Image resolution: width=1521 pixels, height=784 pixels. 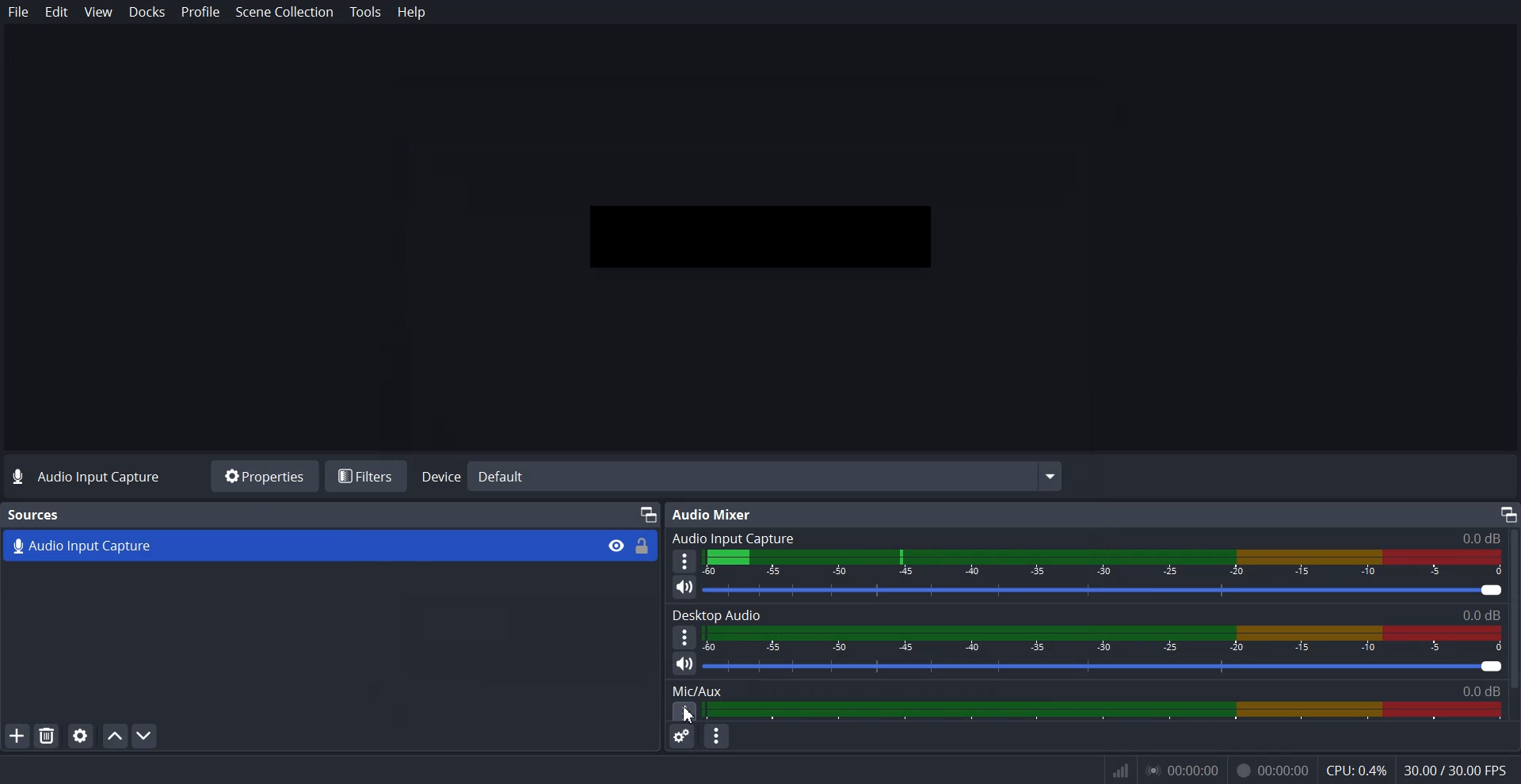 What do you see at coordinates (760, 234) in the screenshot?
I see `Preview window` at bounding box center [760, 234].